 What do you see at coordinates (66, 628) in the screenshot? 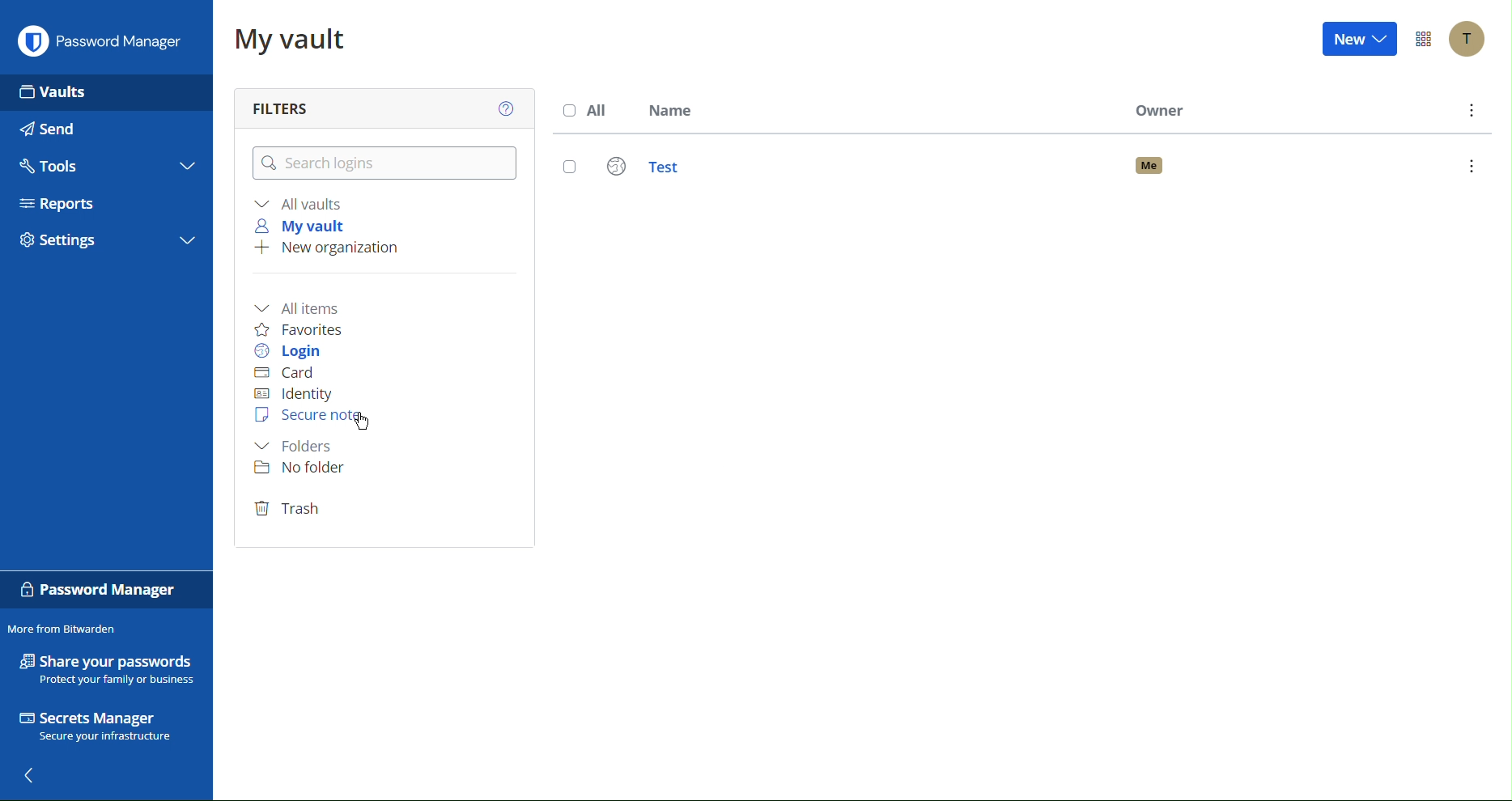
I see `More from Bitwarden` at bounding box center [66, 628].